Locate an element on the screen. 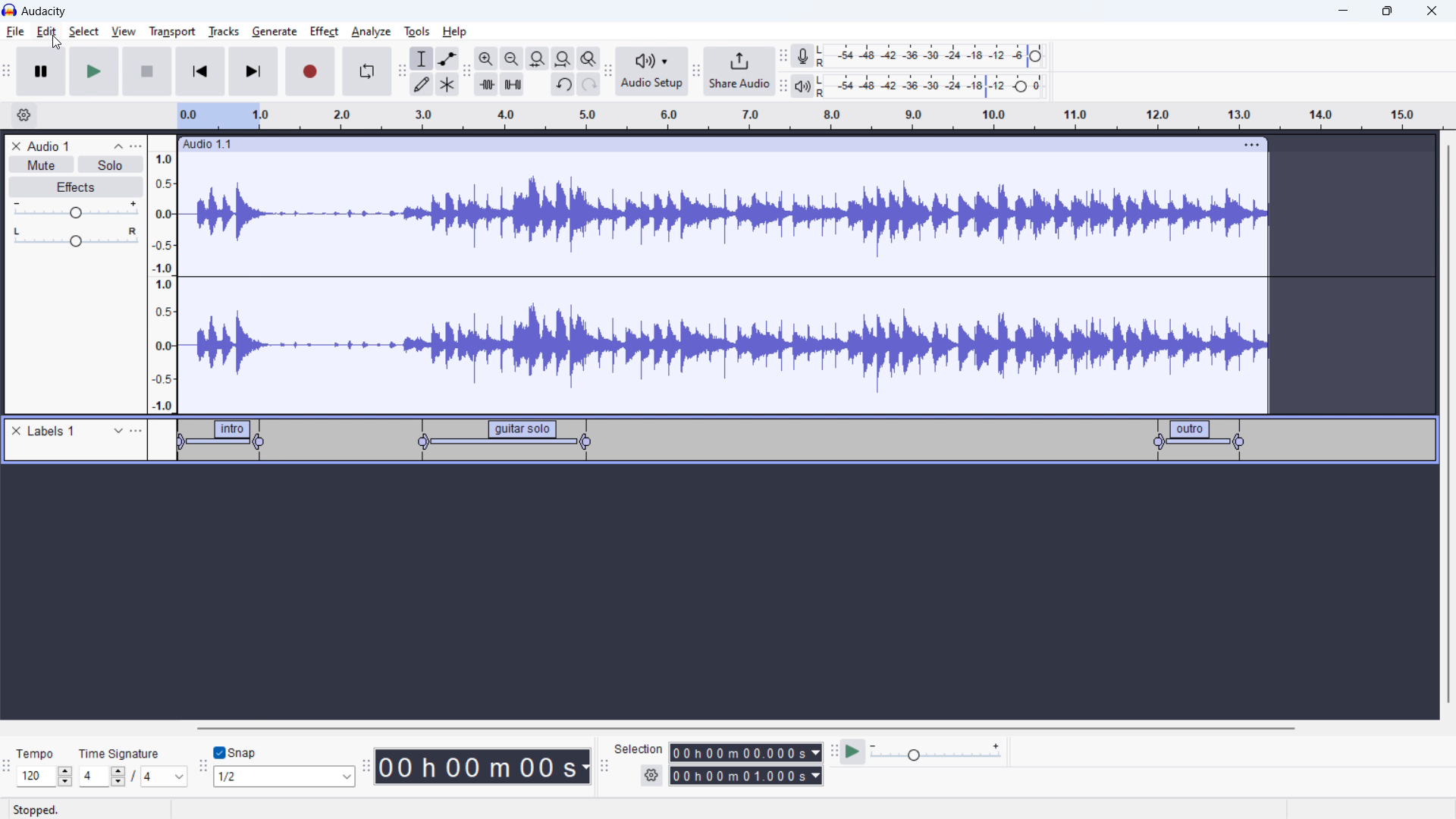  pause is located at coordinates (41, 72).